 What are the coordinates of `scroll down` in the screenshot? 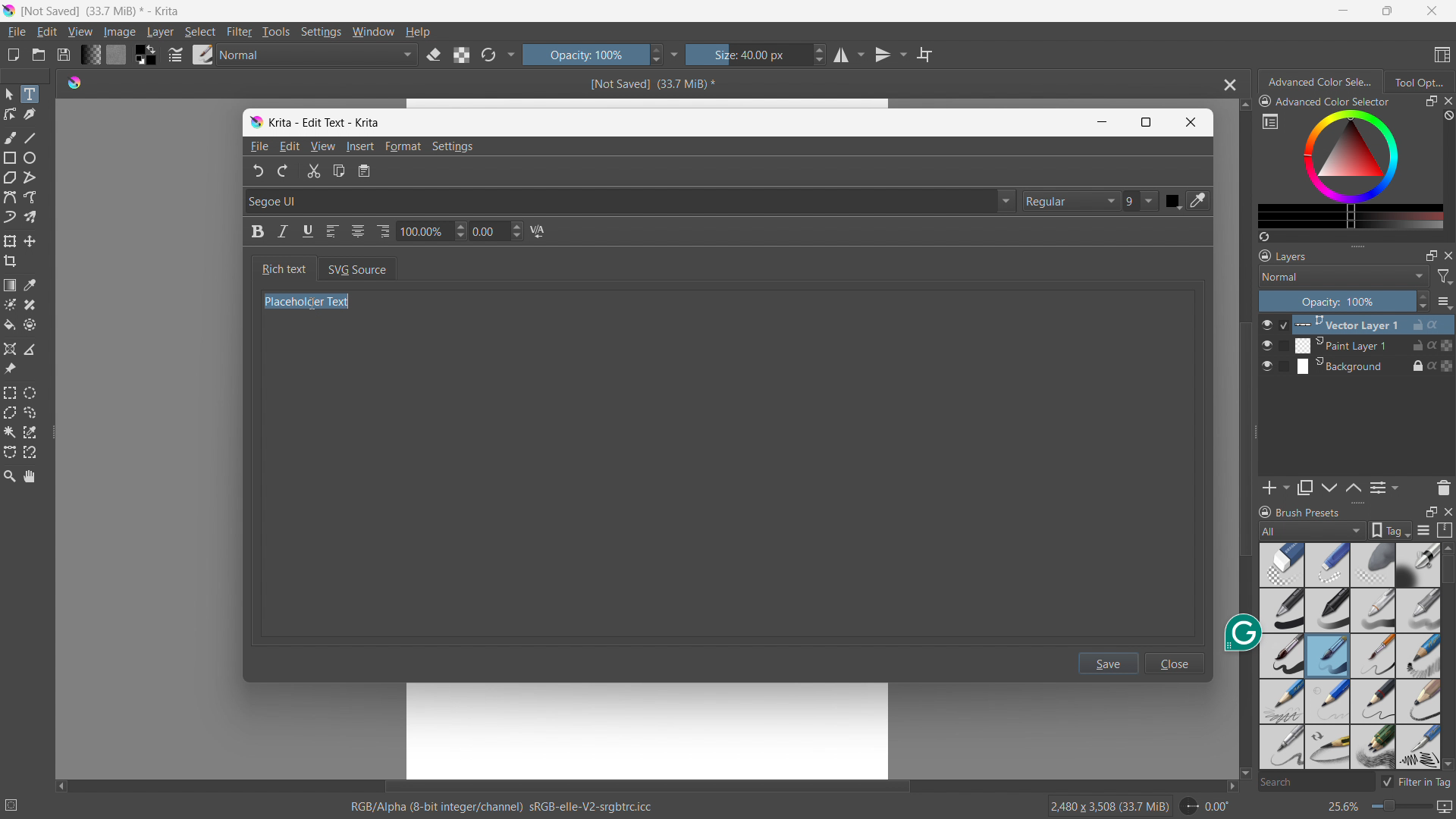 It's located at (1244, 774).